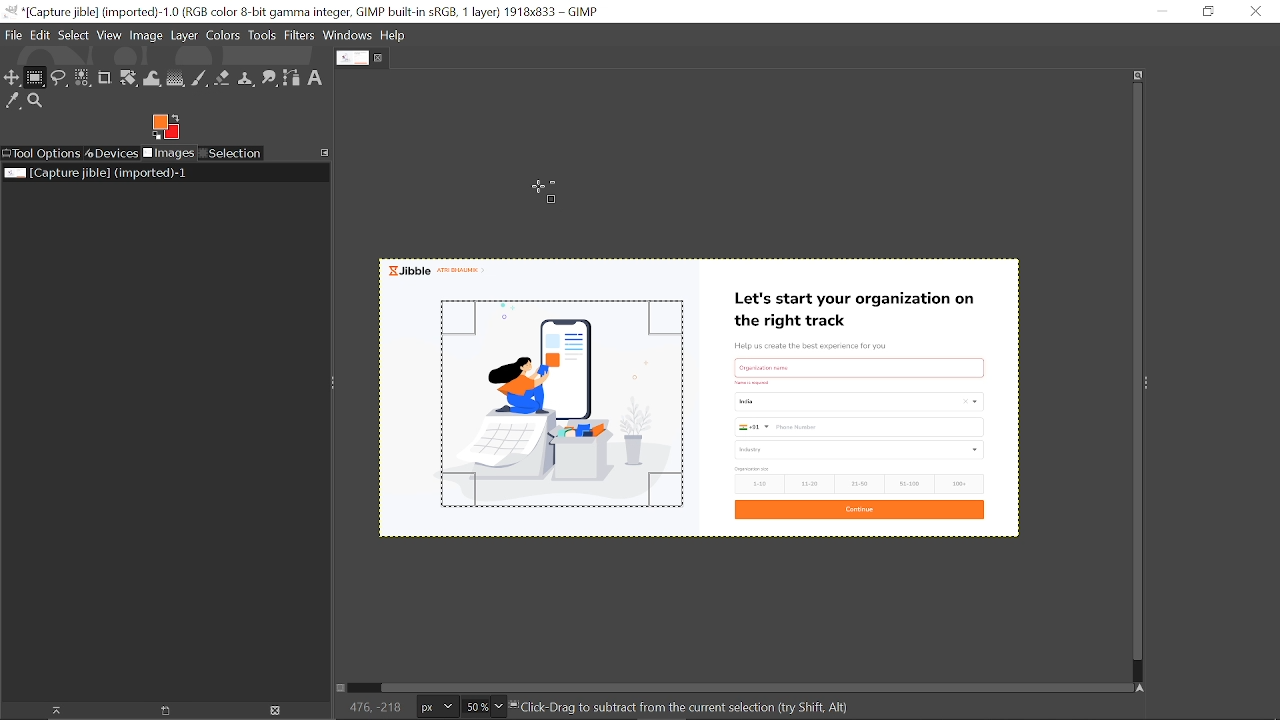 This screenshot has width=1280, height=720. Describe the element at coordinates (104, 79) in the screenshot. I see `Crop tool` at that location.